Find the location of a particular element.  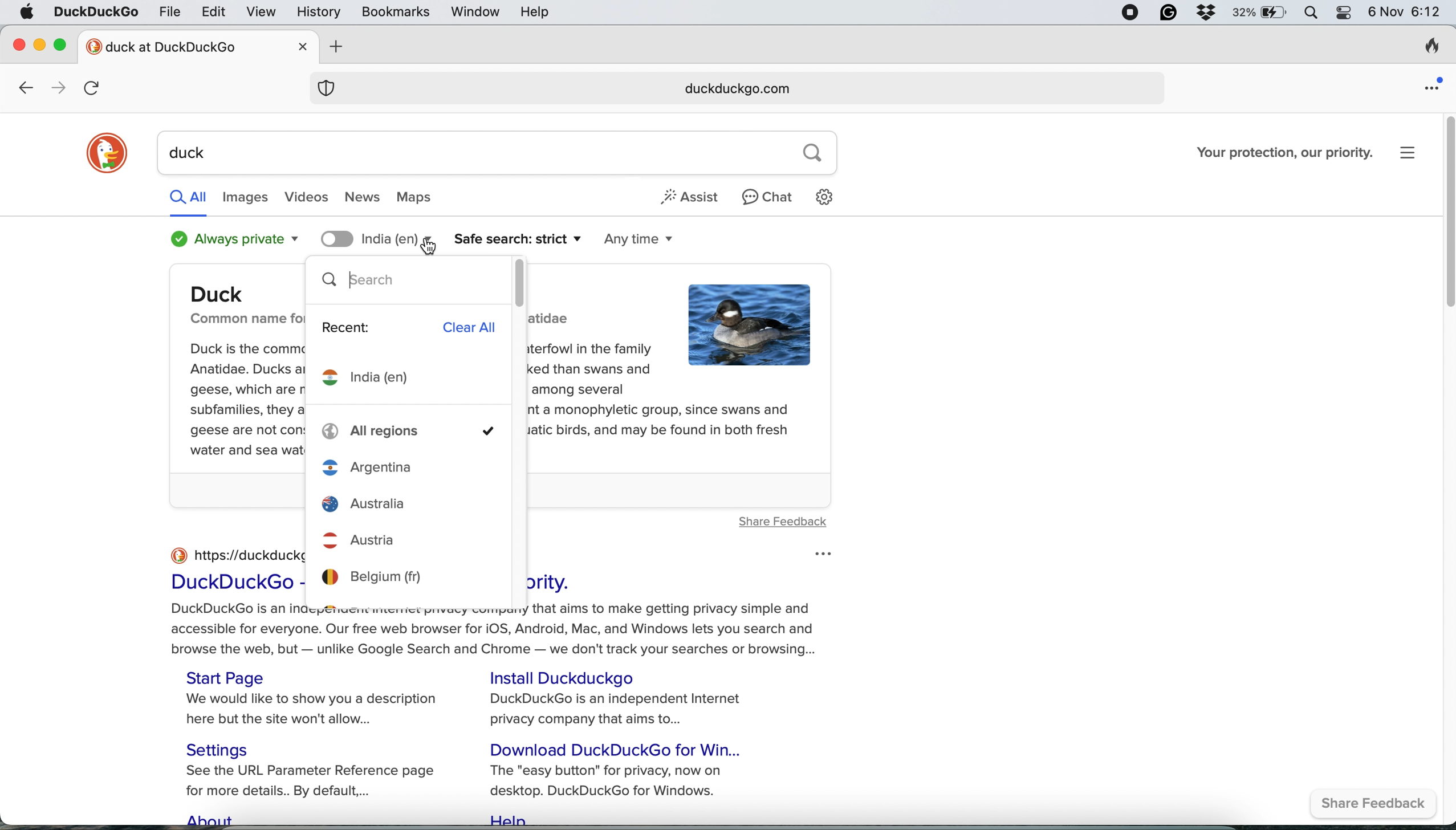

clear browsing history is located at coordinates (1431, 48).